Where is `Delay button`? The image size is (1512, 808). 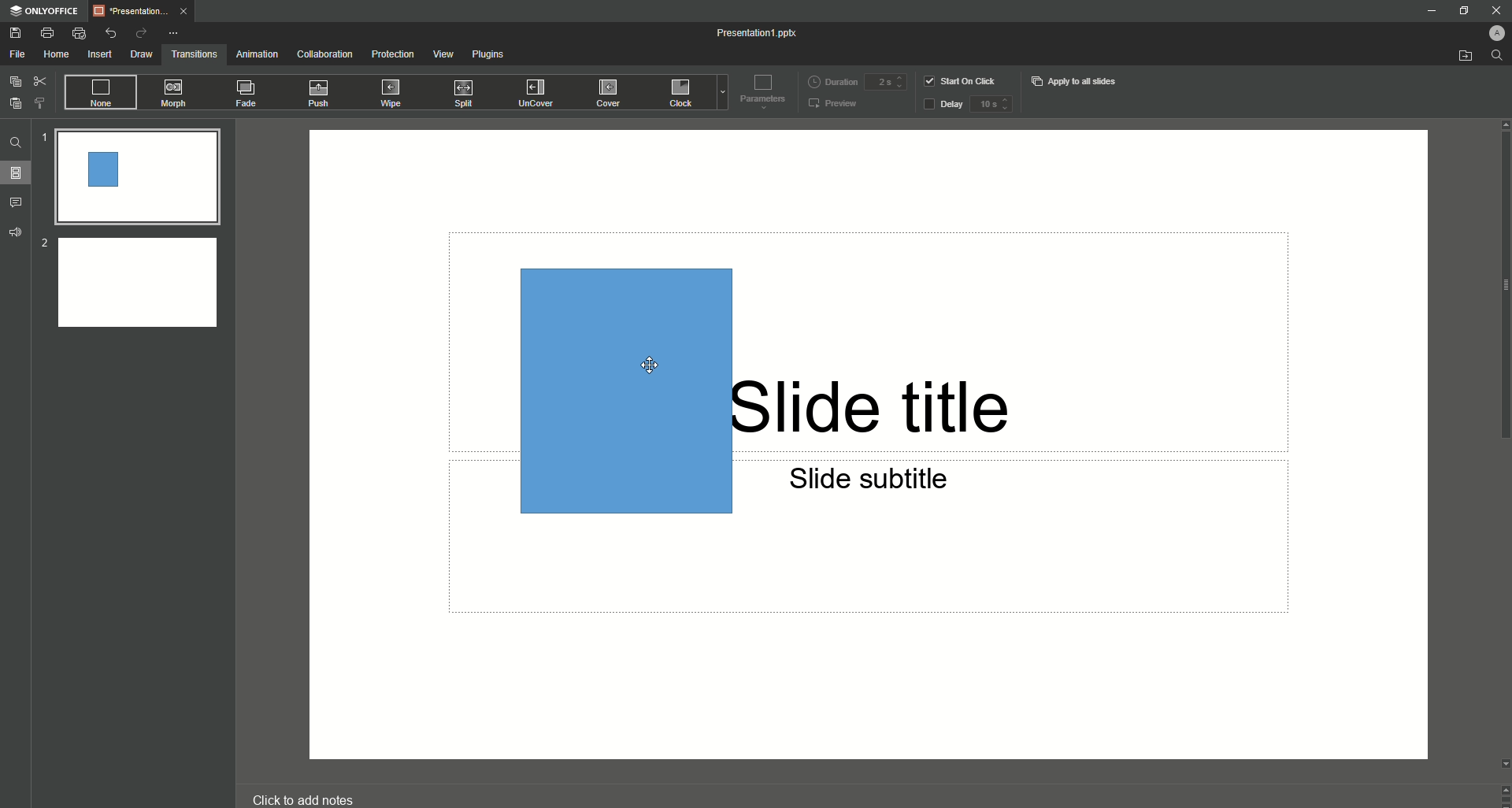 Delay button is located at coordinates (940, 106).